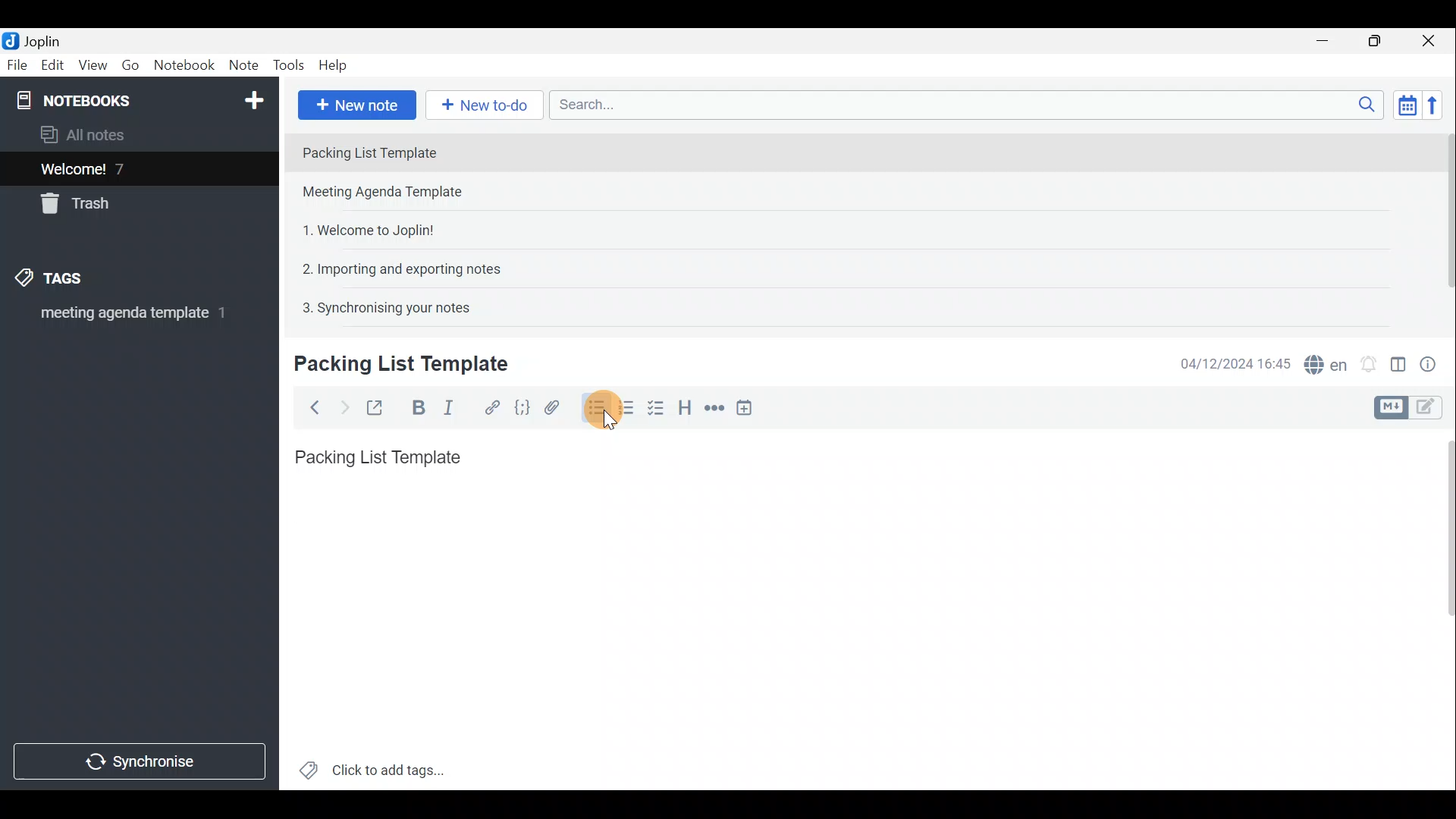 Image resolution: width=1456 pixels, height=819 pixels. What do you see at coordinates (454, 407) in the screenshot?
I see `Italic` at bounding box center [454, 407].